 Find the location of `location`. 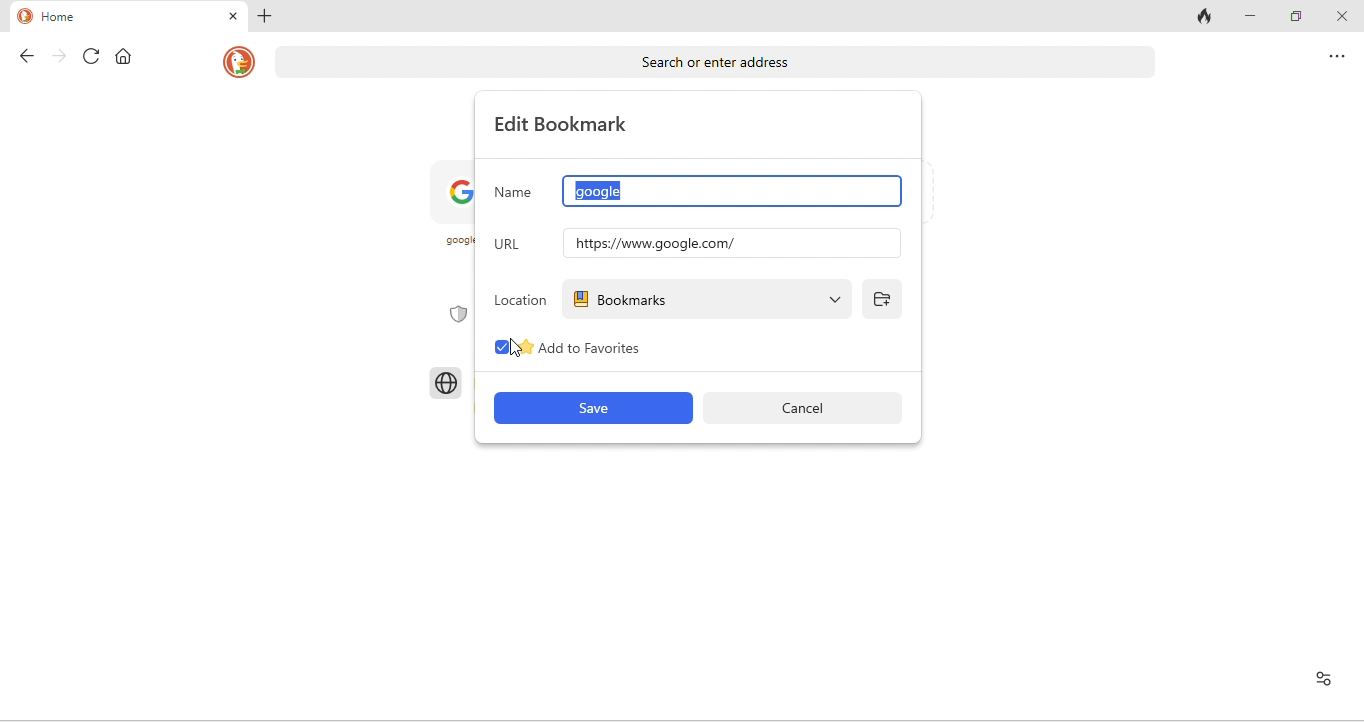

location is located at coordinates (521, 298).